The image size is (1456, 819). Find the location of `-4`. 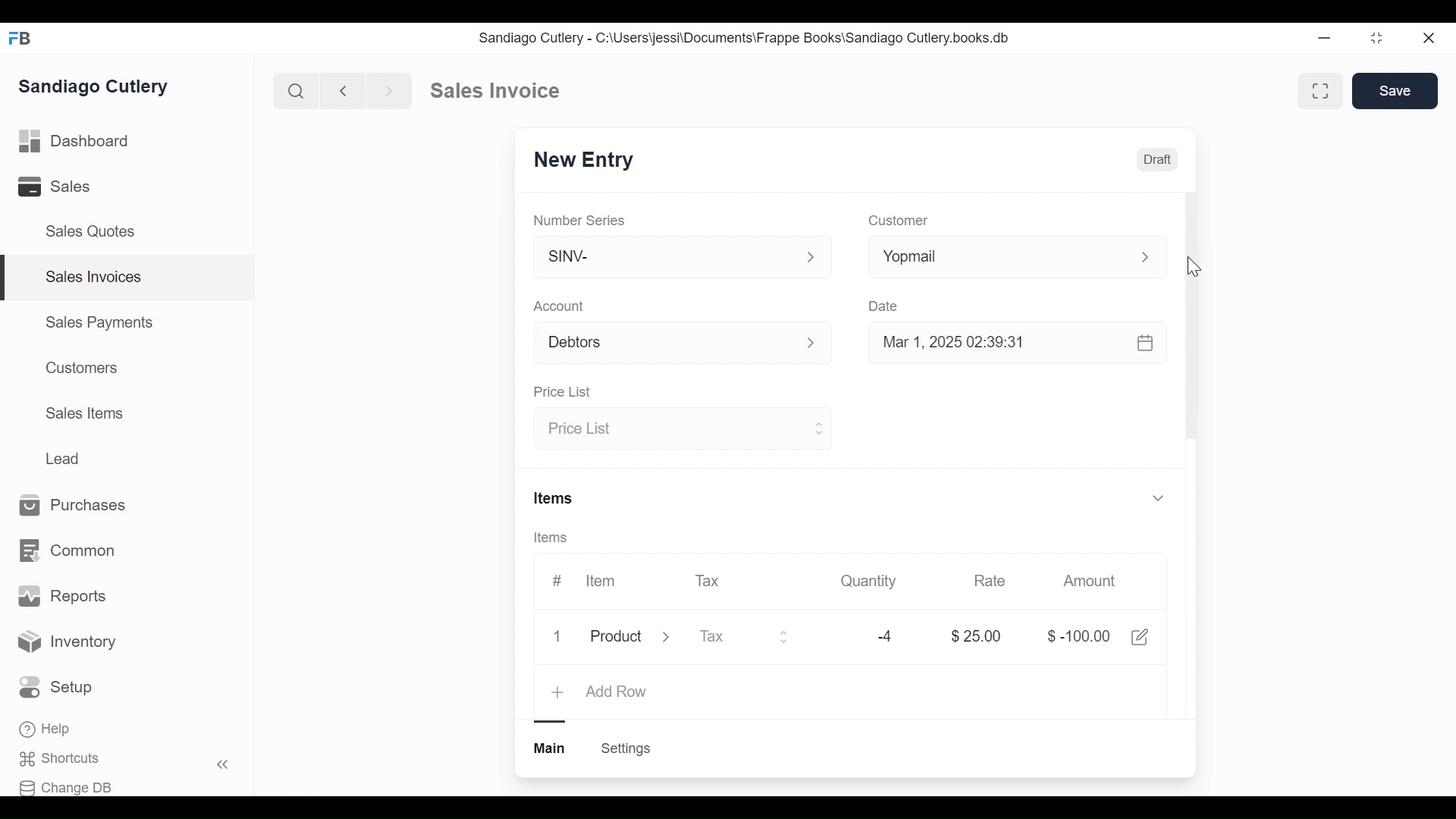

-4 is located at coordinates (886, 637).